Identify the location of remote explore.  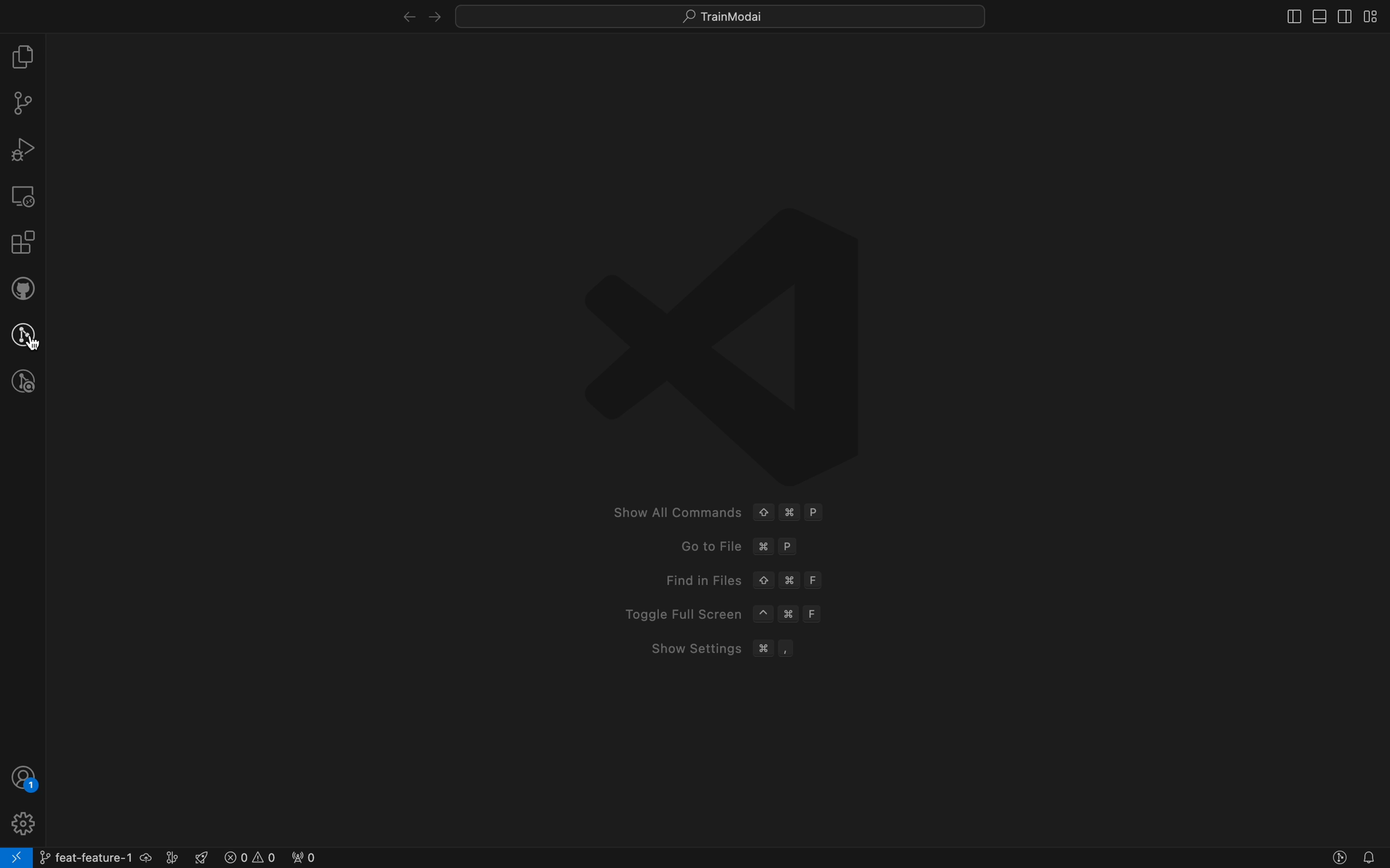
(24, 196).